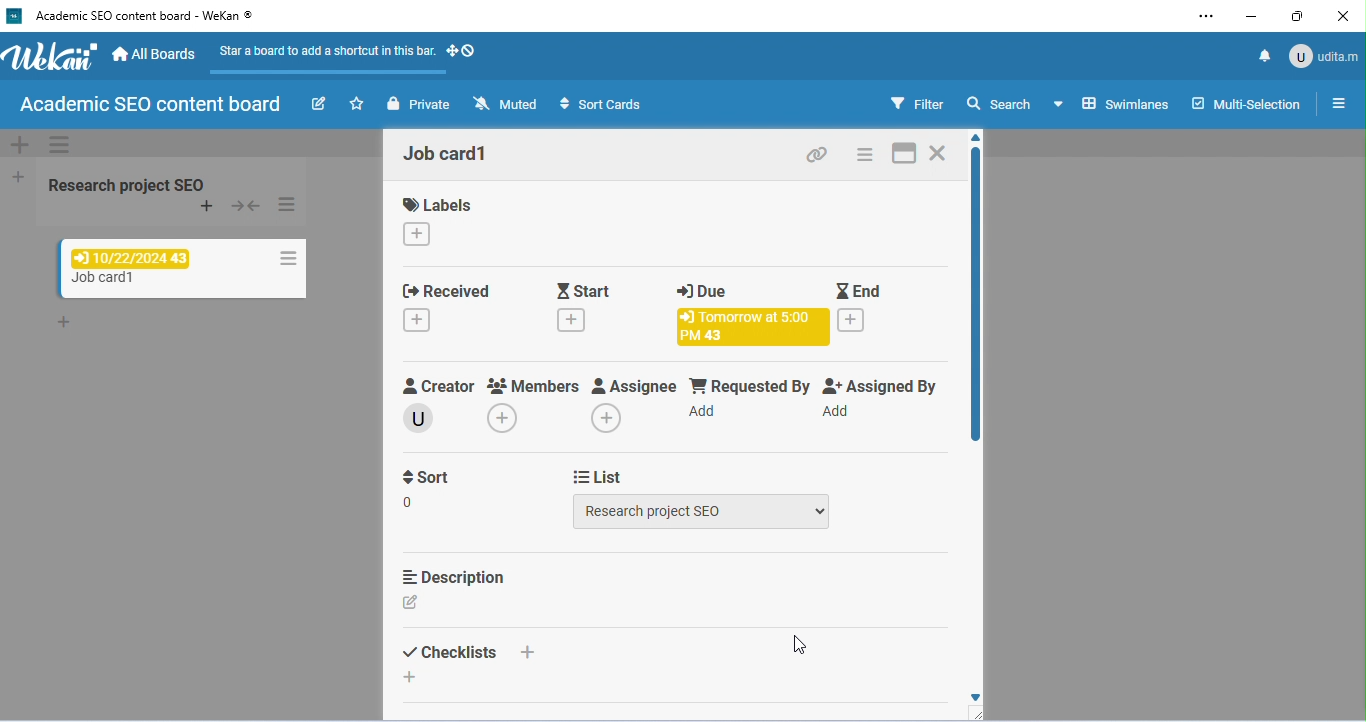 This screenshot has width=1366, height=722. I want to click on select list, so click(705, 512).